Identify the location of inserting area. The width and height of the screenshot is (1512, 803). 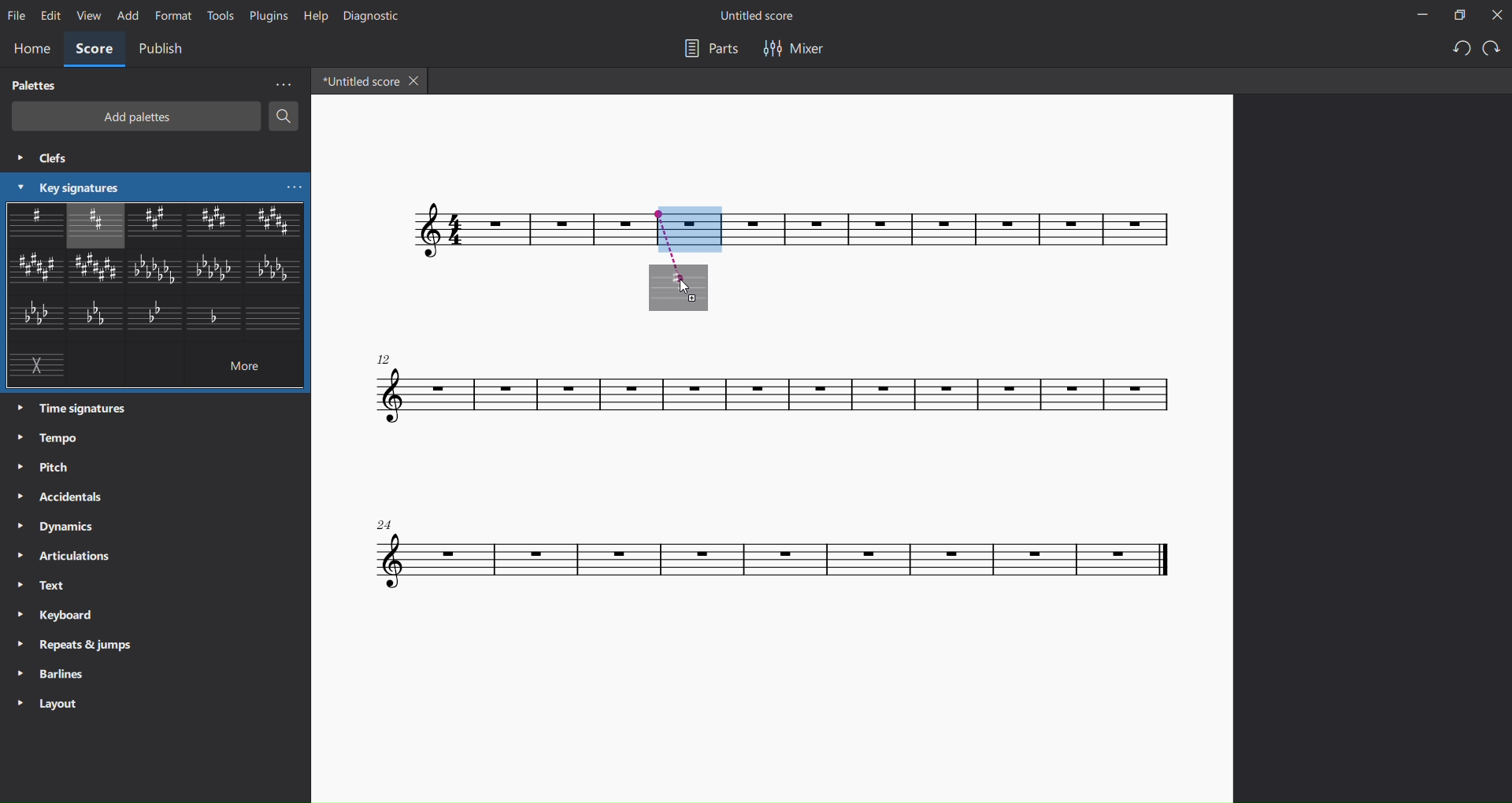
(690, 258).